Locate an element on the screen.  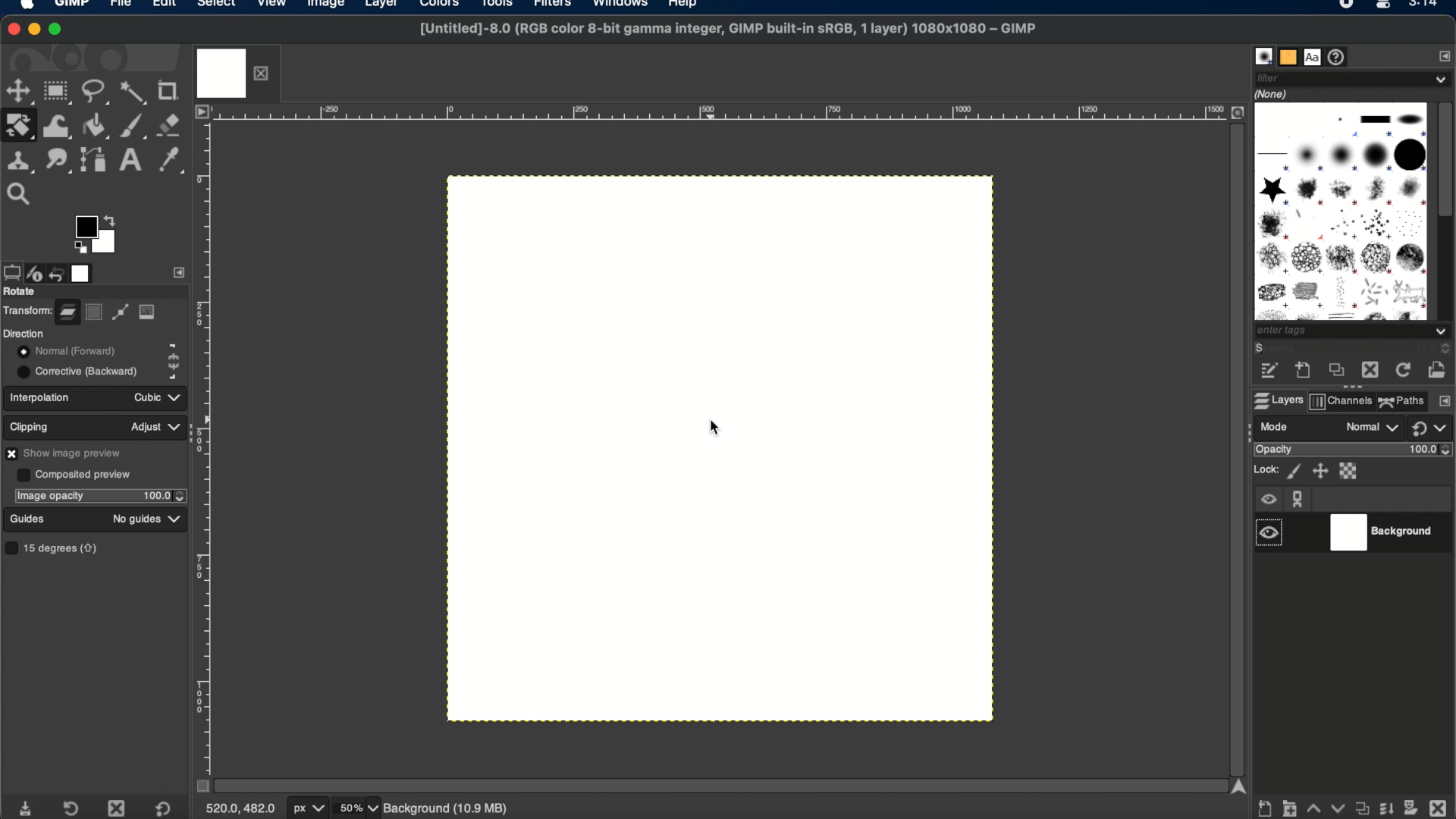
crop tool is located at coordinates (171, 90).